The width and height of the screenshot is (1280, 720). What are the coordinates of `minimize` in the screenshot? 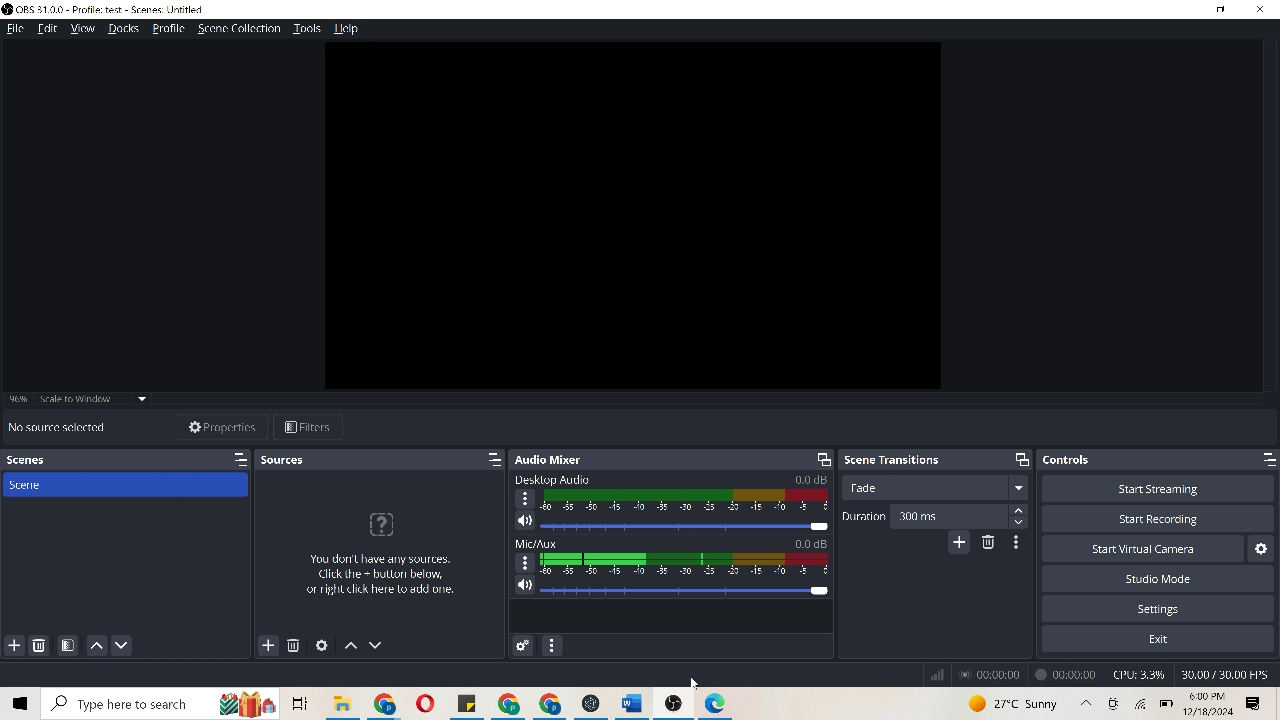 It's located at (1222, 11).